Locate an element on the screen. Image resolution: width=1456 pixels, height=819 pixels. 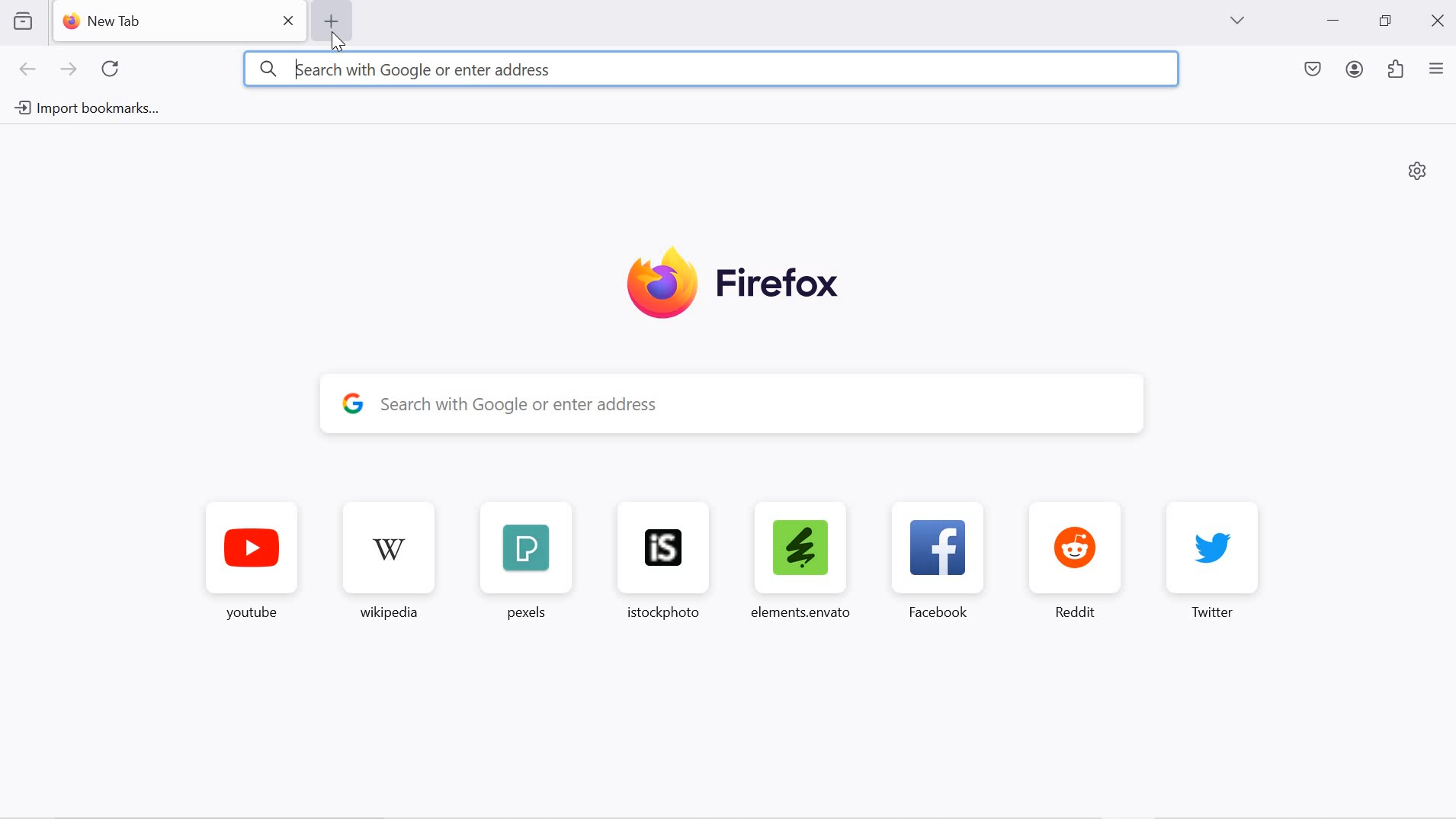
go forward is located at coordinates (69, 72).